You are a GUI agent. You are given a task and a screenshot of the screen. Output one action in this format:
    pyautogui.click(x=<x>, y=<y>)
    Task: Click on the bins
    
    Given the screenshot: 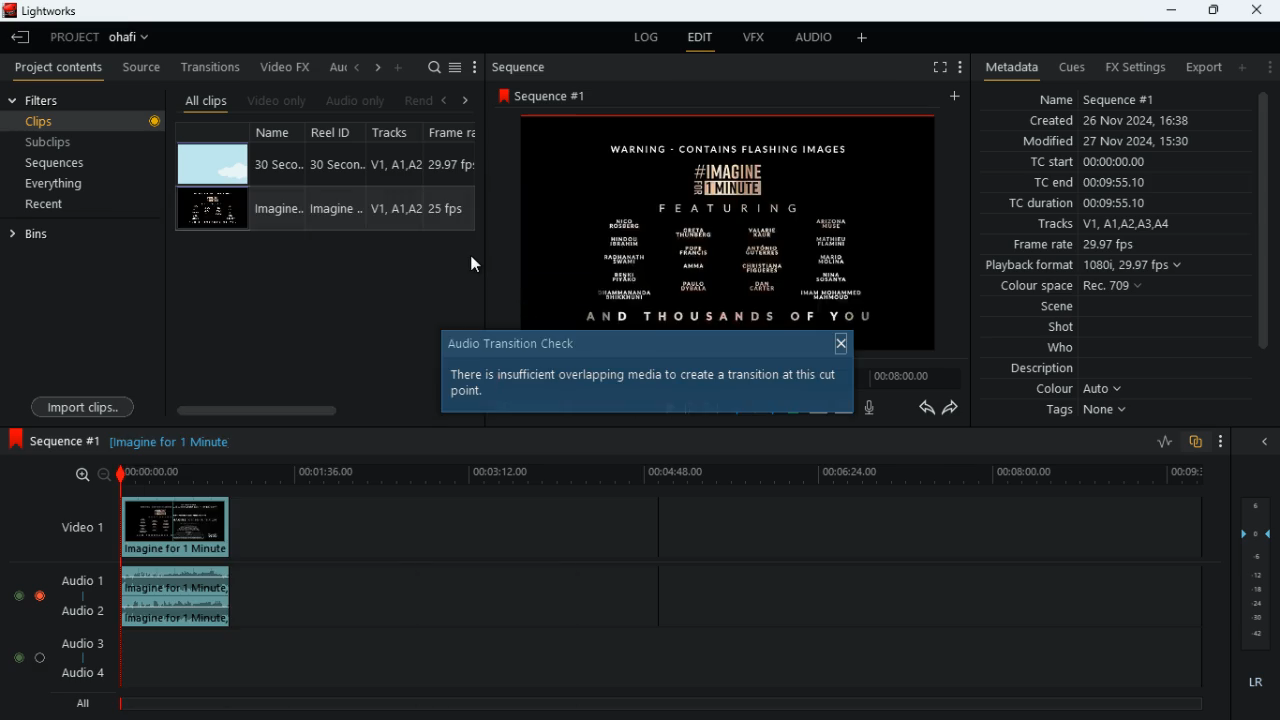 What is the action you would take?
    pyautogui.click(x=82, y=233)
    